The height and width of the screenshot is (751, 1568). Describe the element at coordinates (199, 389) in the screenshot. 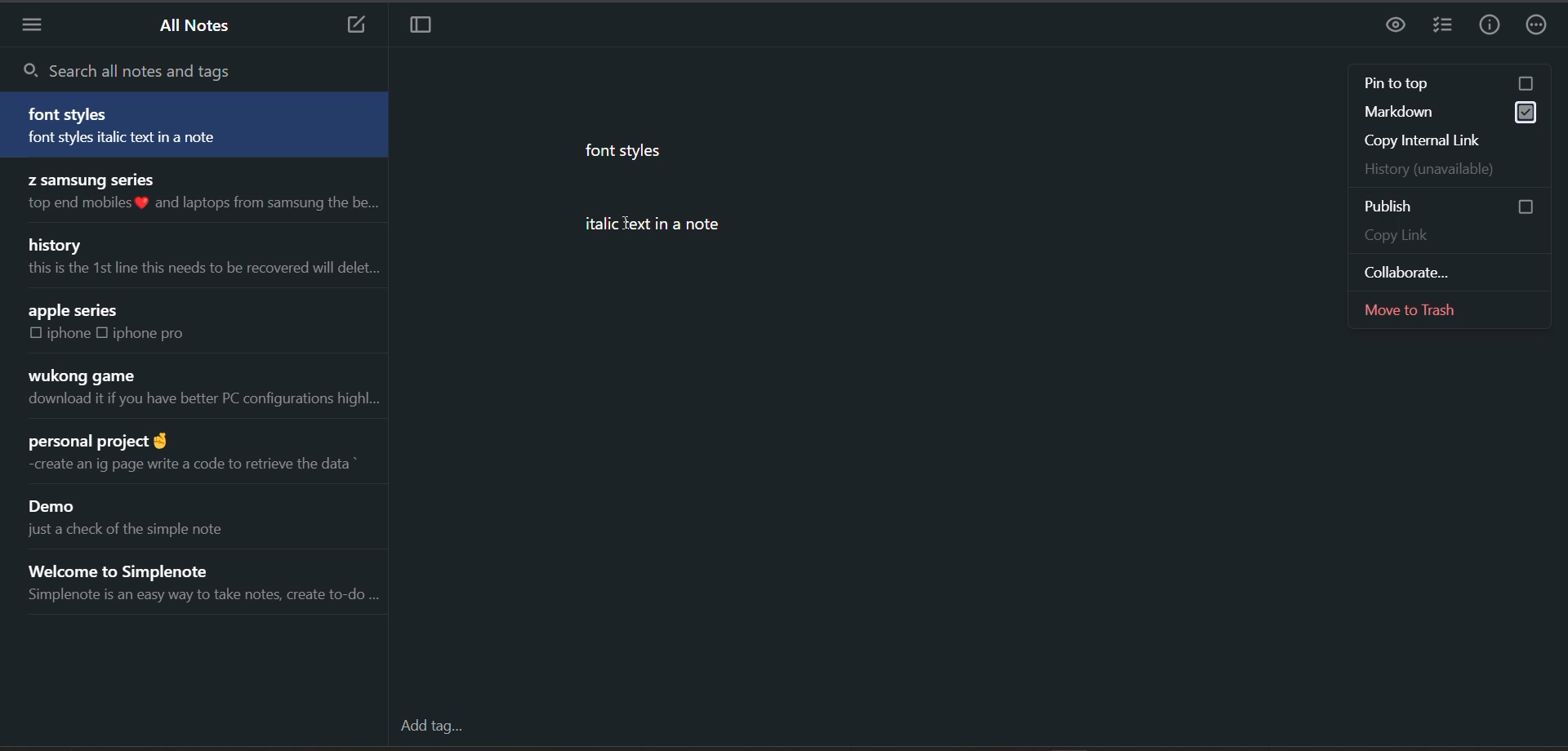

I see `note title and preview` at that location.